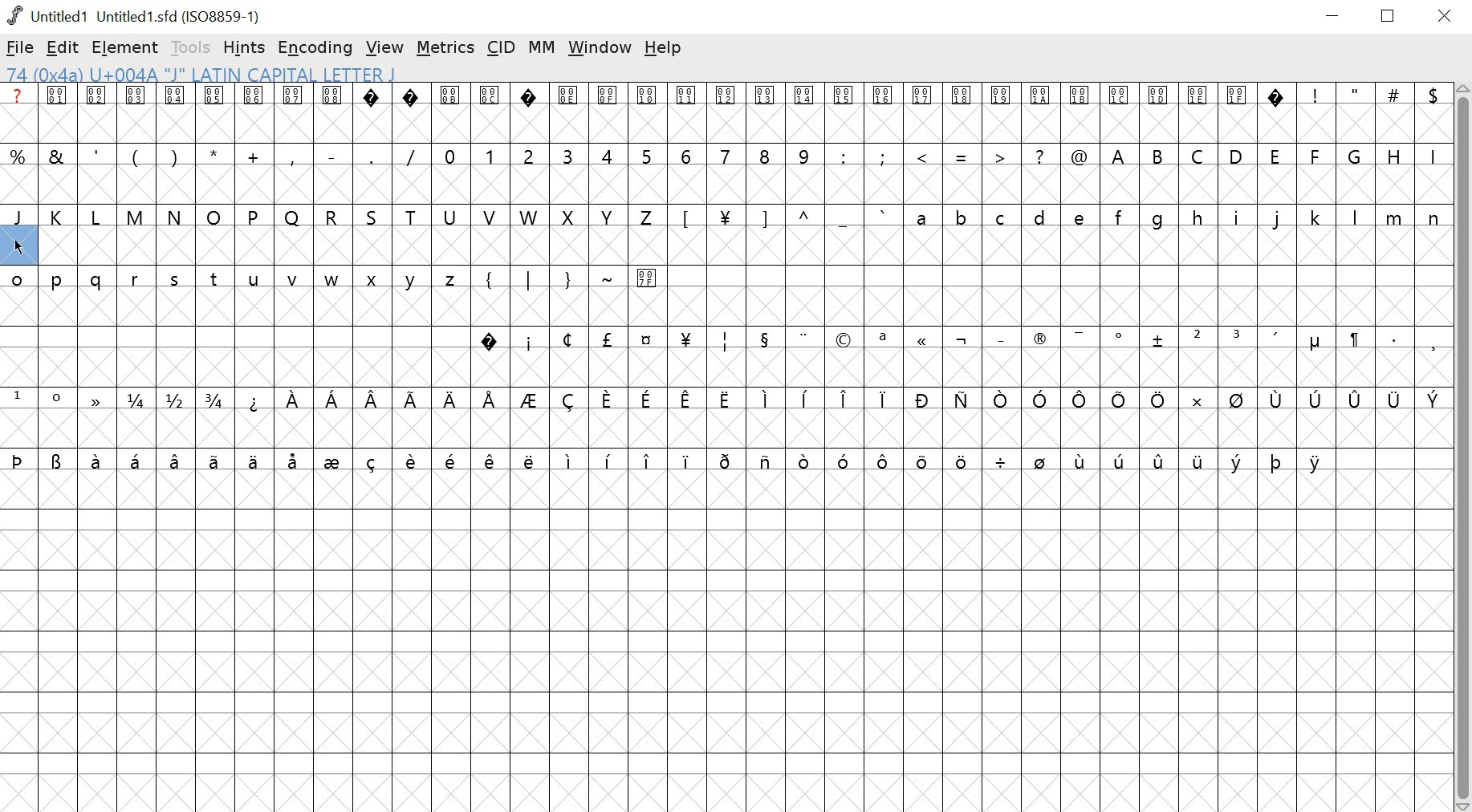 This screenshot has width=1472, height=812. I want to click on symbols, so click(846, 400).